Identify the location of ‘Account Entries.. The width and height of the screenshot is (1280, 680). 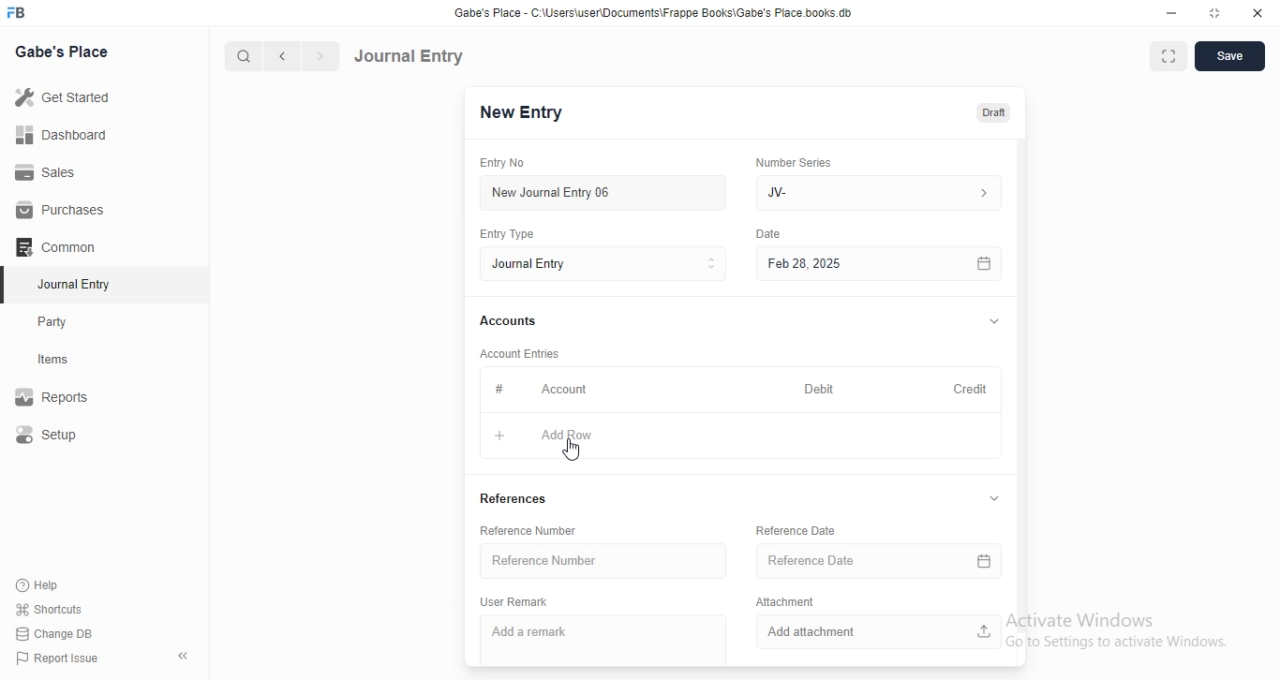
(528, 352).